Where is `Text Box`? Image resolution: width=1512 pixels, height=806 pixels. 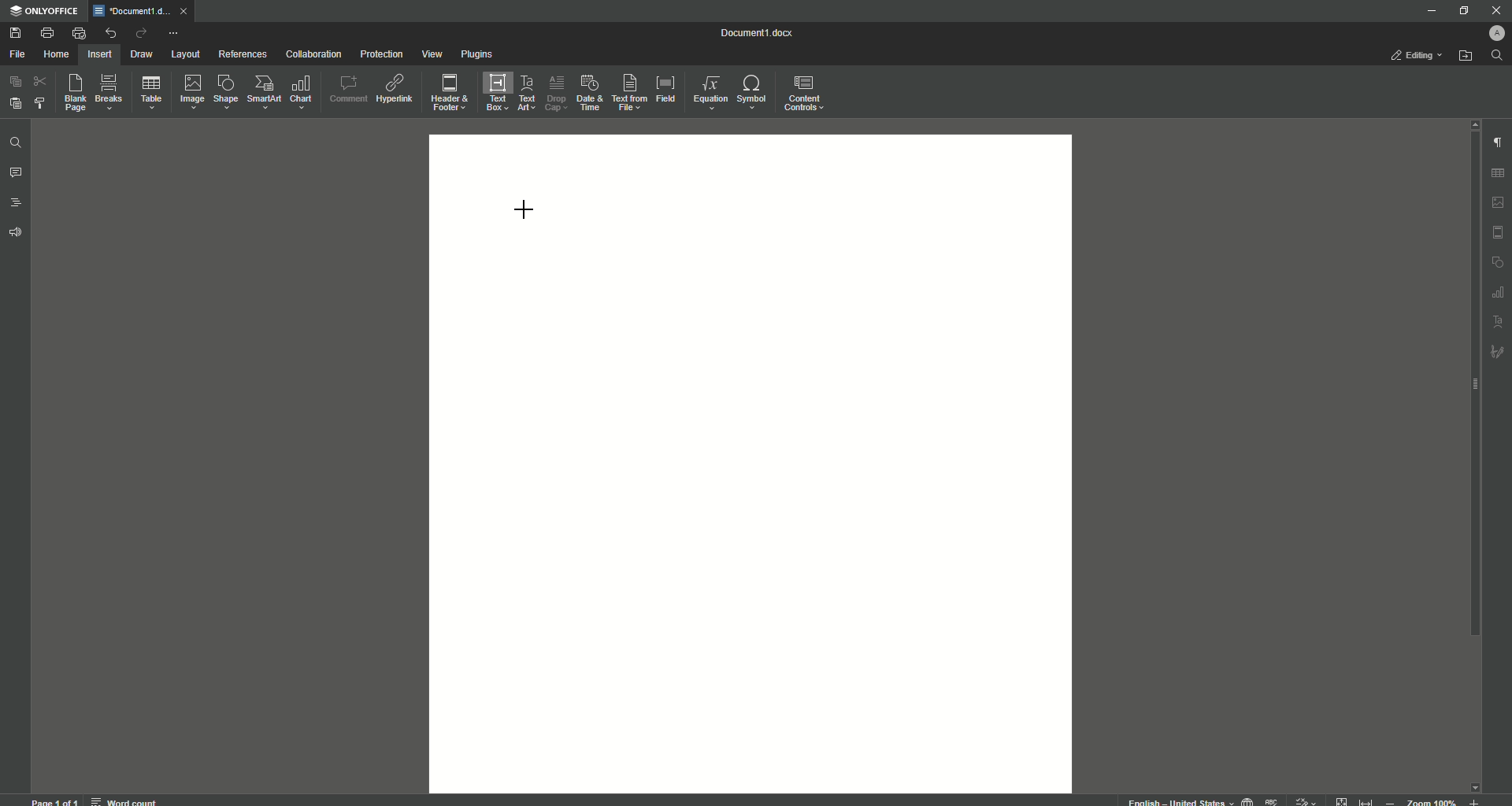 Text Box is located at coordinates (492, 92).